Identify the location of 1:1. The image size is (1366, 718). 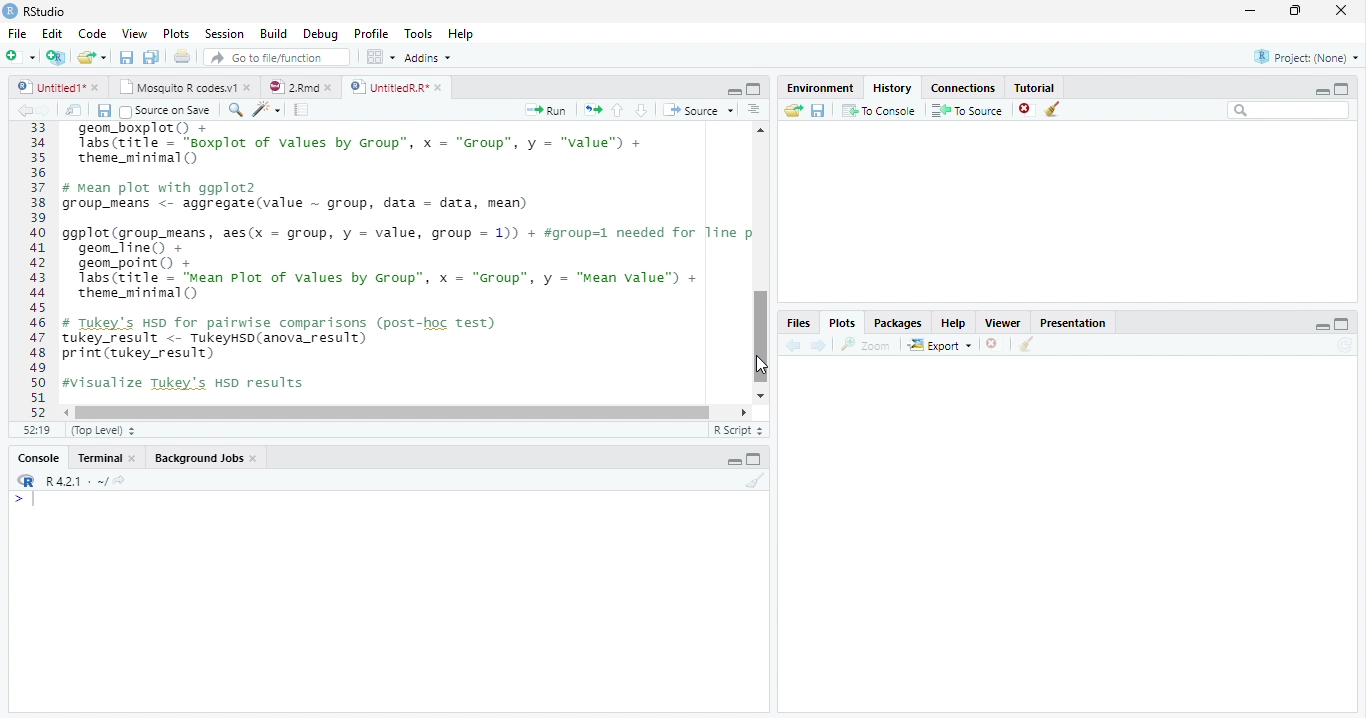
(34, 430).